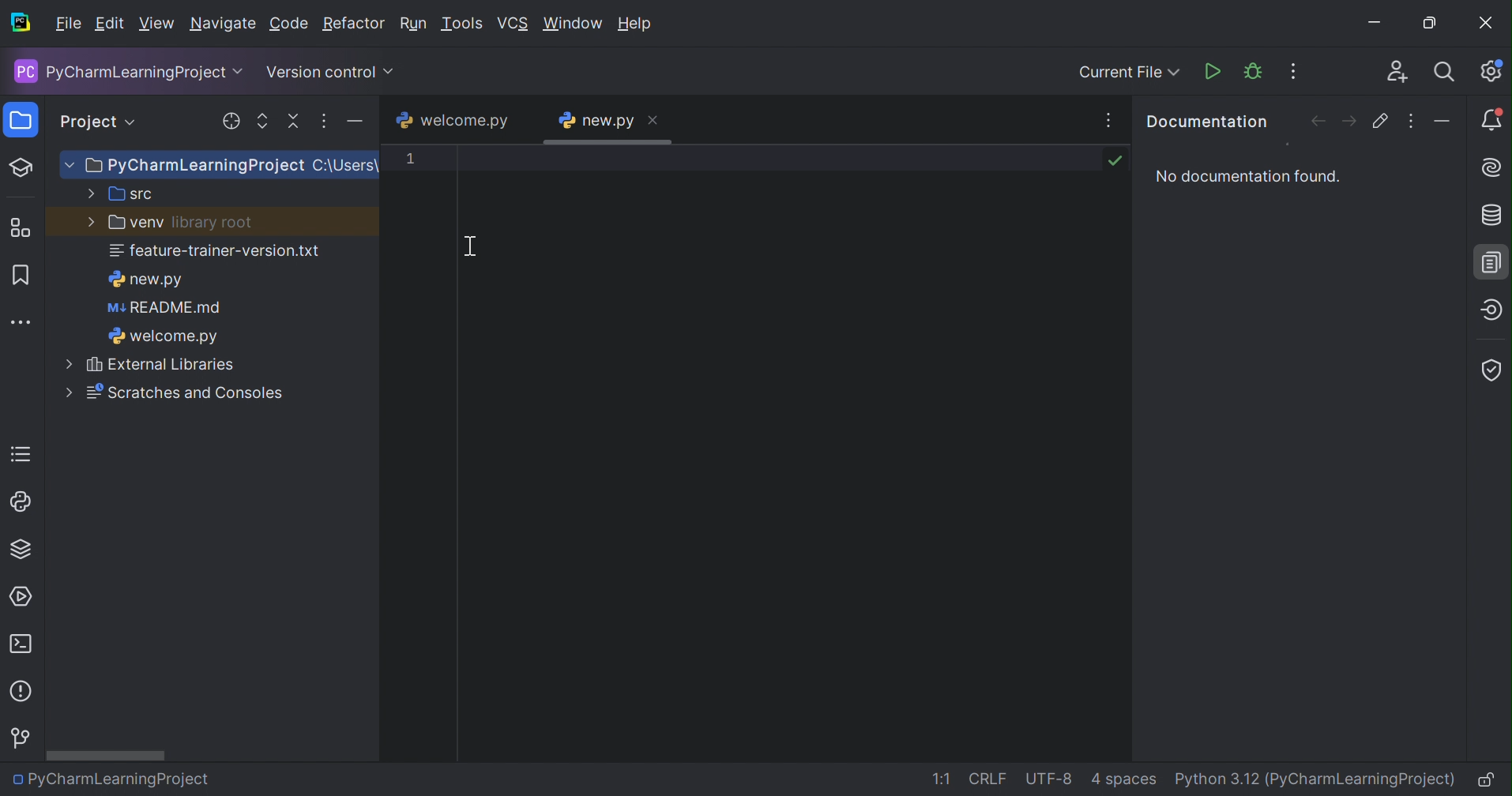 This screenshot has height=796, width=1512. I want to click on Documentation, so click(1494, 261).